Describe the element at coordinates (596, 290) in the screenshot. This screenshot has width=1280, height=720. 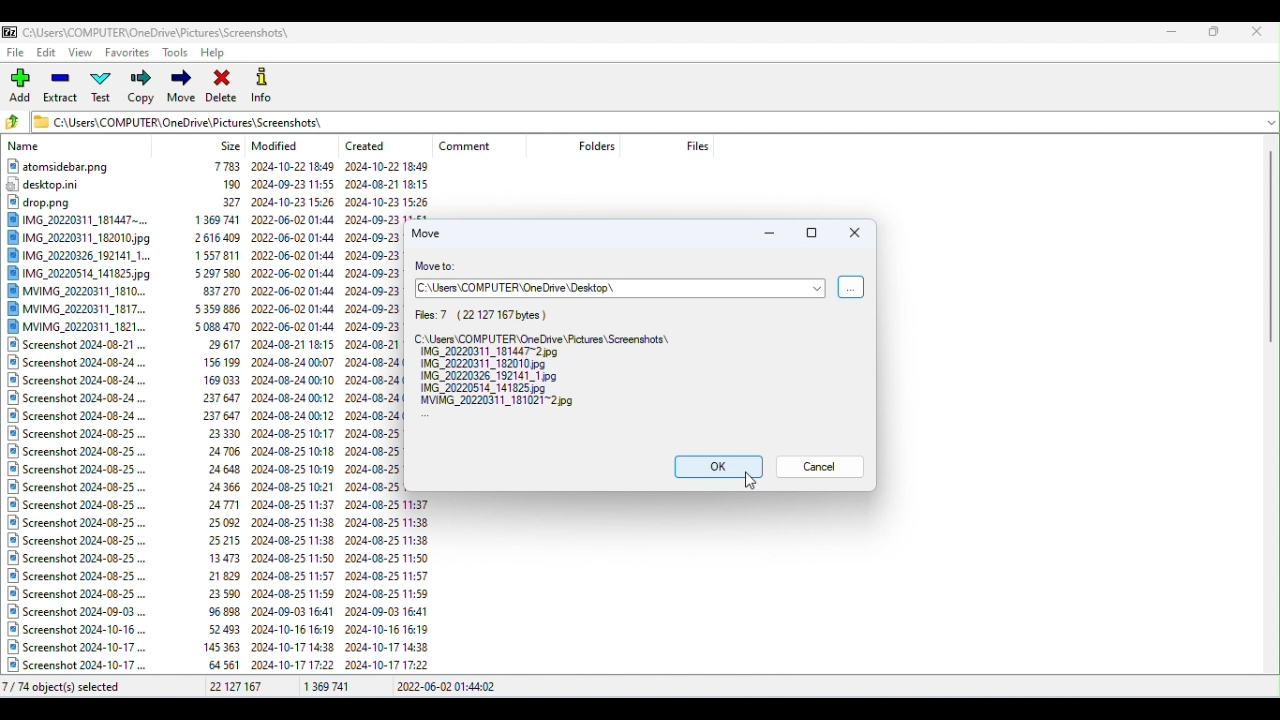
I see `File location` at that location.